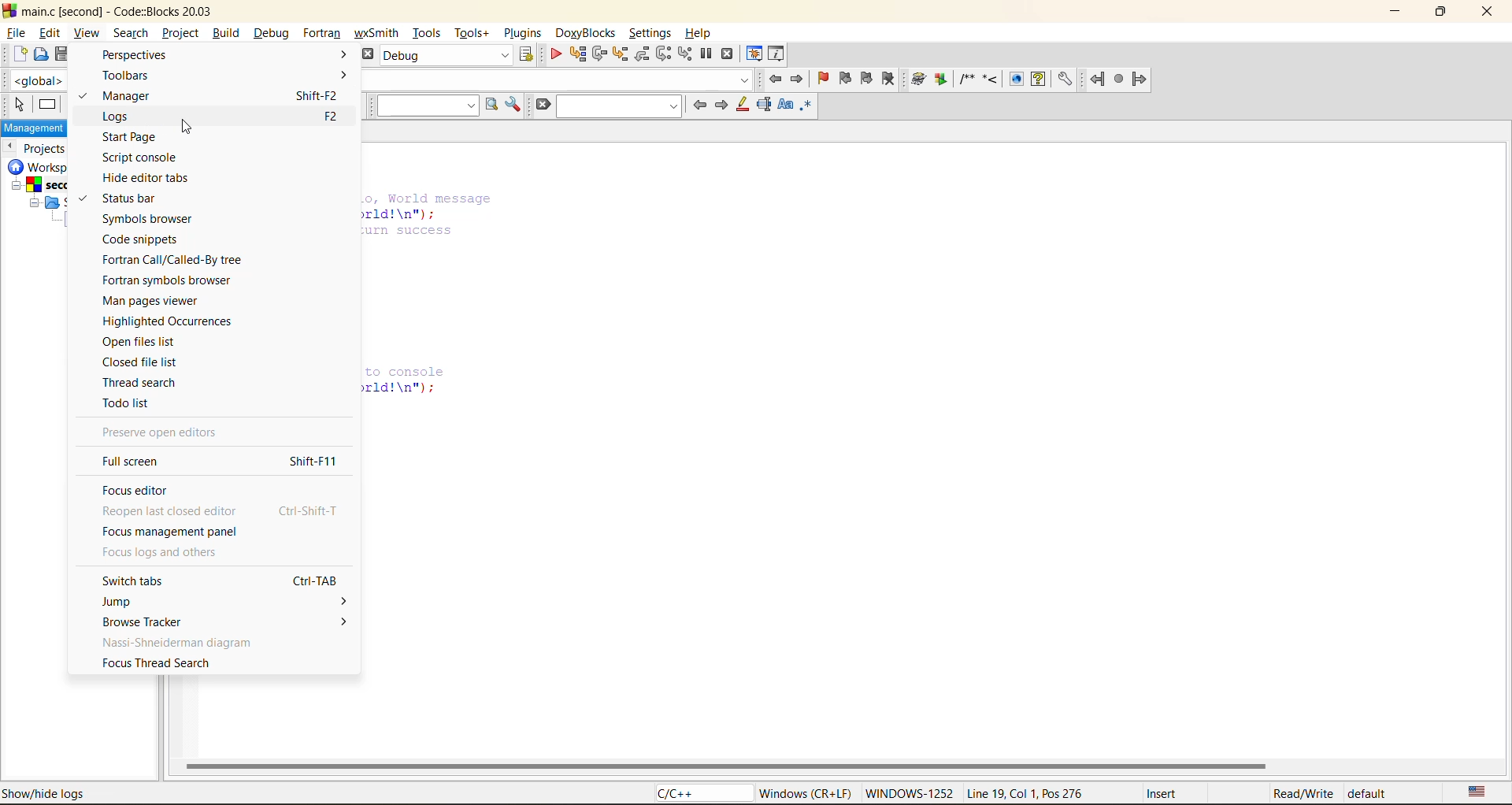 Image resolution: width=1512 pixels, height=805 pixels. I want to click on perspectives, so click(136, 54).